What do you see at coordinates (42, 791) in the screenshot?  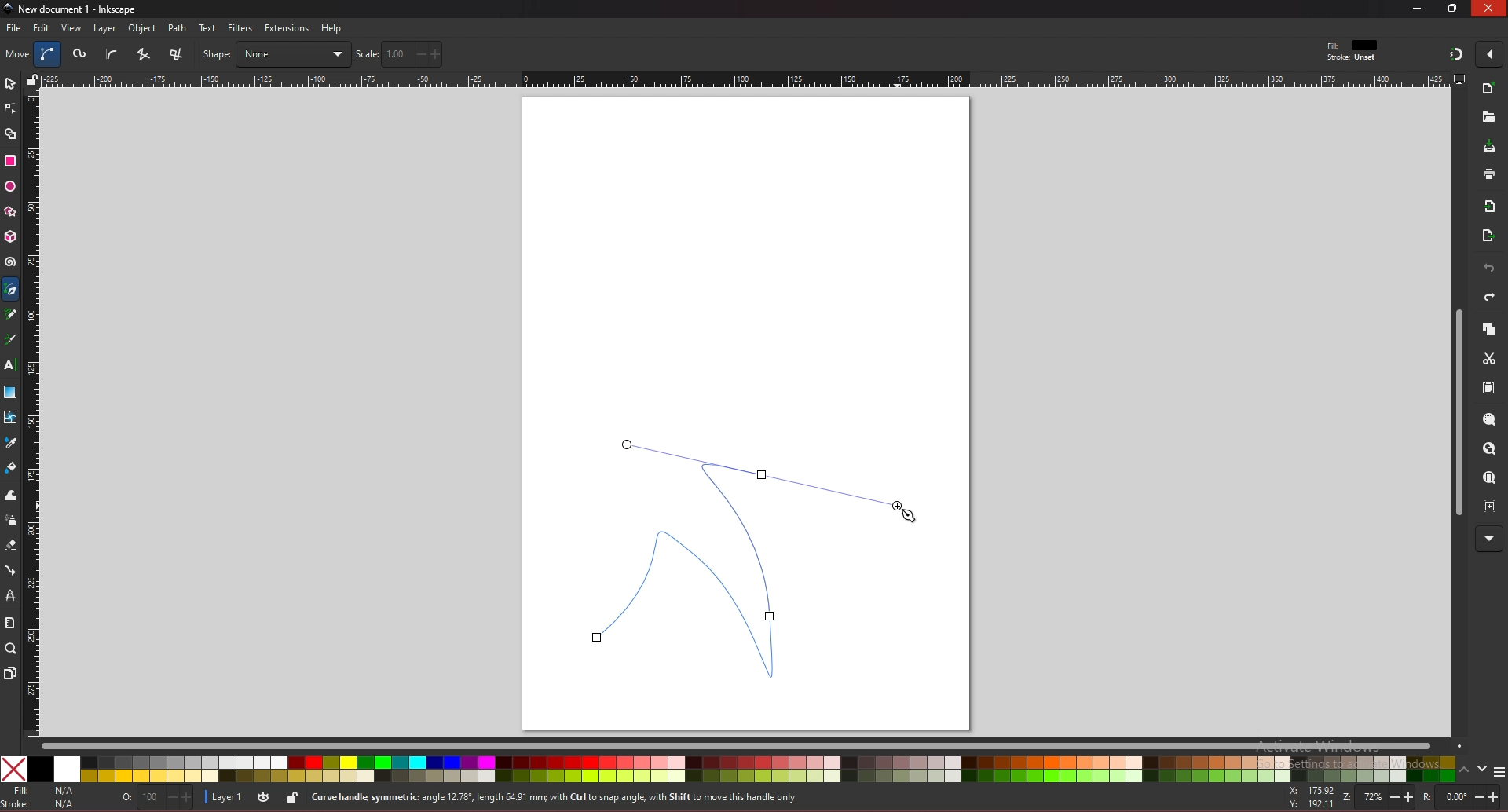 I see `fill` at bounding box center [42, 791].